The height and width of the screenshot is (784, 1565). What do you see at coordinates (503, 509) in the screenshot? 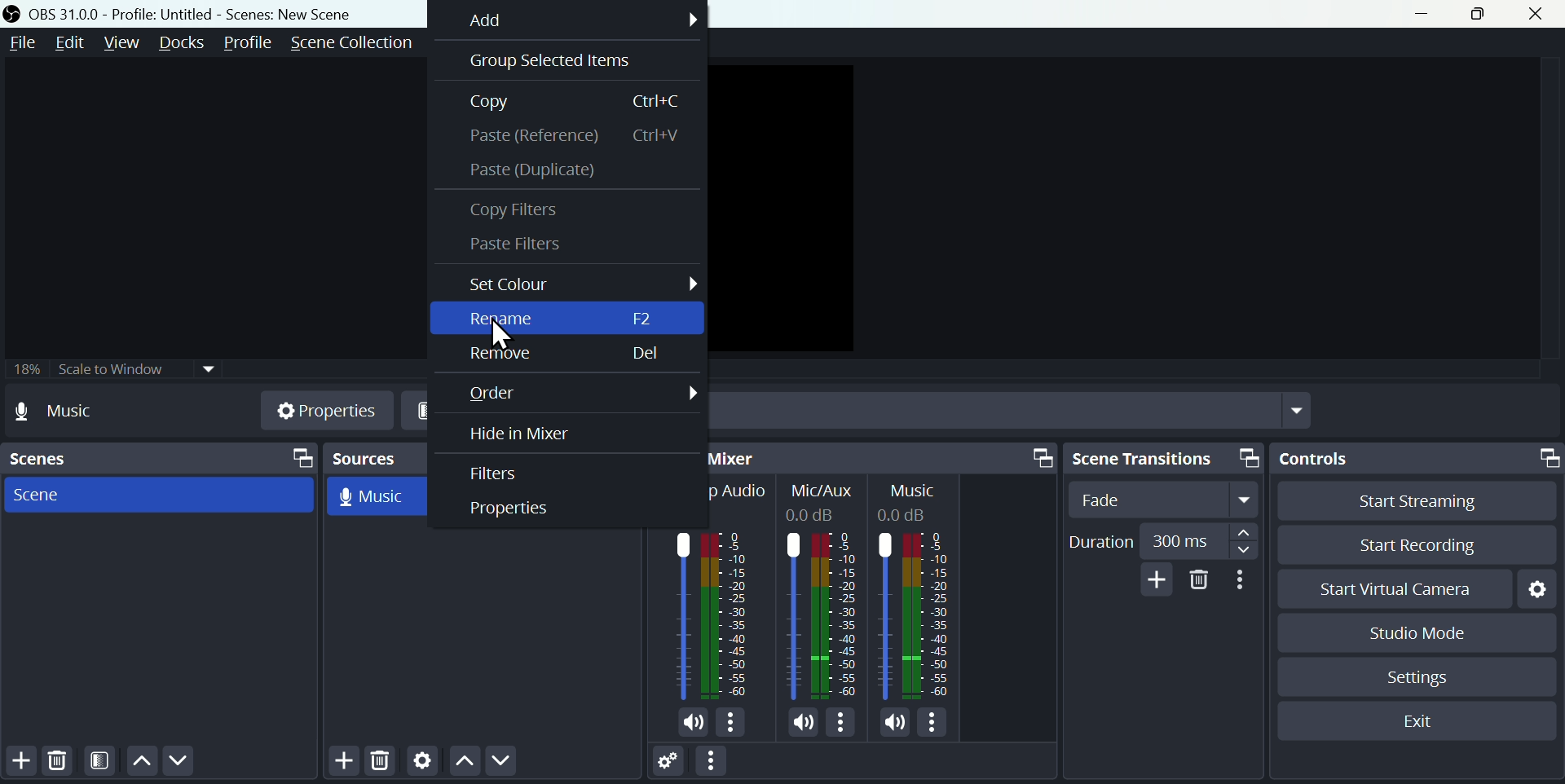
I see `` at bounding box center [503, 509].